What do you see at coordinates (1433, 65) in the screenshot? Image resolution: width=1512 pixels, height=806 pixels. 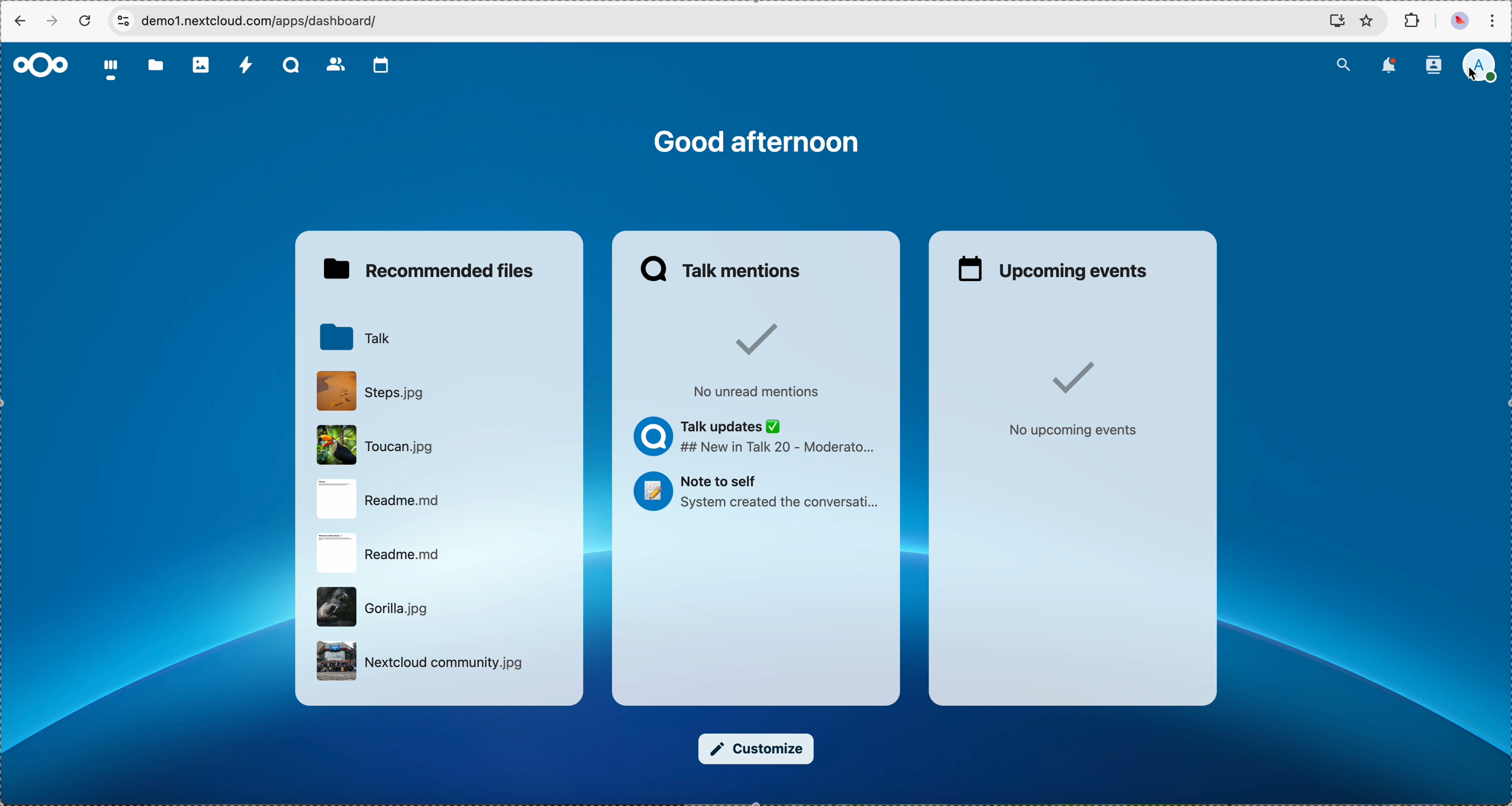 I see `contacts` at bounding box center [1433, 65].